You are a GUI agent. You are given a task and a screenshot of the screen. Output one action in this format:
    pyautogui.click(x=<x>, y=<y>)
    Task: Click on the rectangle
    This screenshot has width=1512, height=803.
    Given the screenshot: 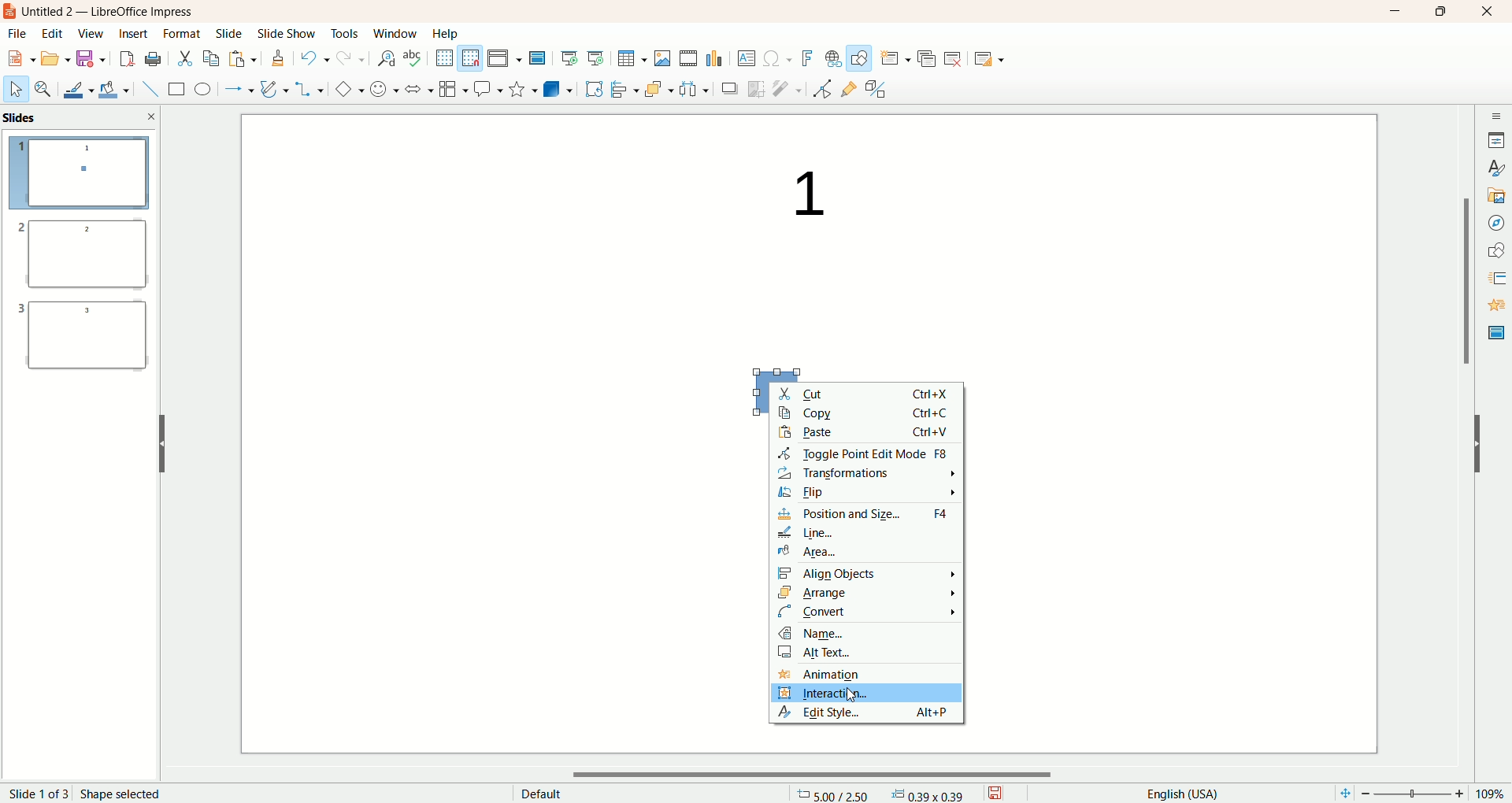 What is the action you would take?
    pyautogui.click(x=172, y=89)
    